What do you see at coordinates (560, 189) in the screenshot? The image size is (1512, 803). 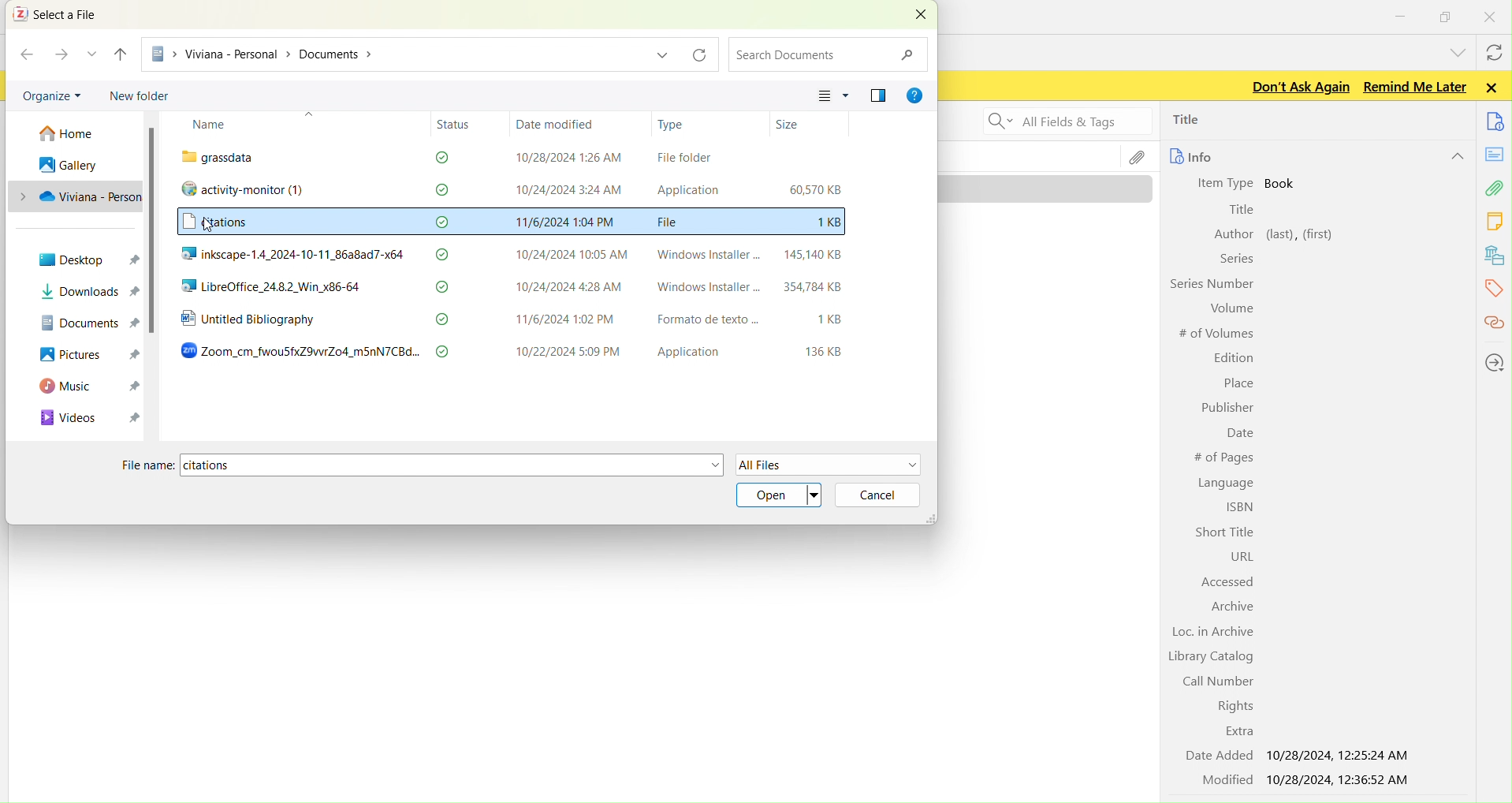 I see `10/24/2024 3:24 AM` at bounding box center [560, 189].